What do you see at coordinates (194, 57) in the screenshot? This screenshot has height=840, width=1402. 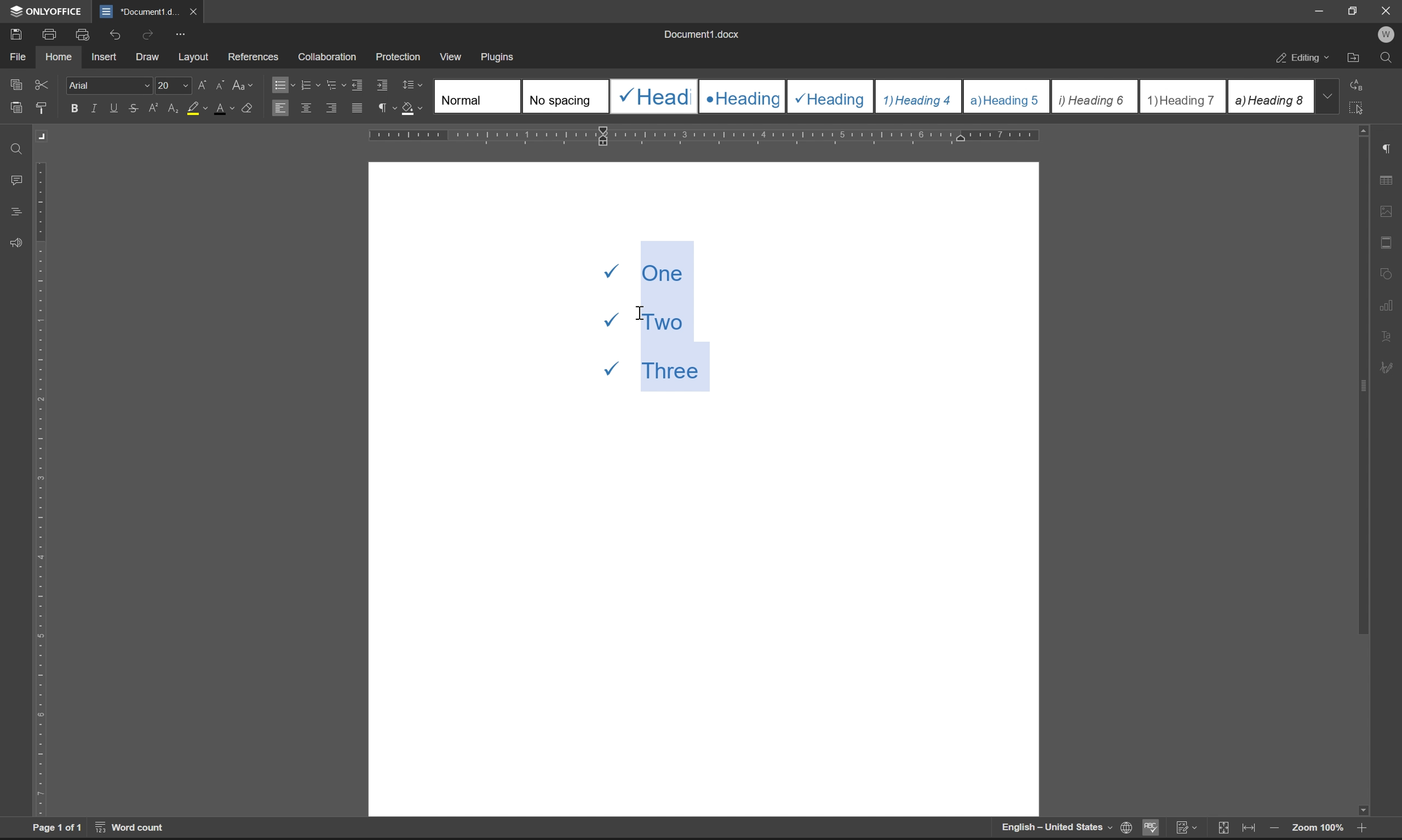 I see `layout` at bounding box center [194, 57].